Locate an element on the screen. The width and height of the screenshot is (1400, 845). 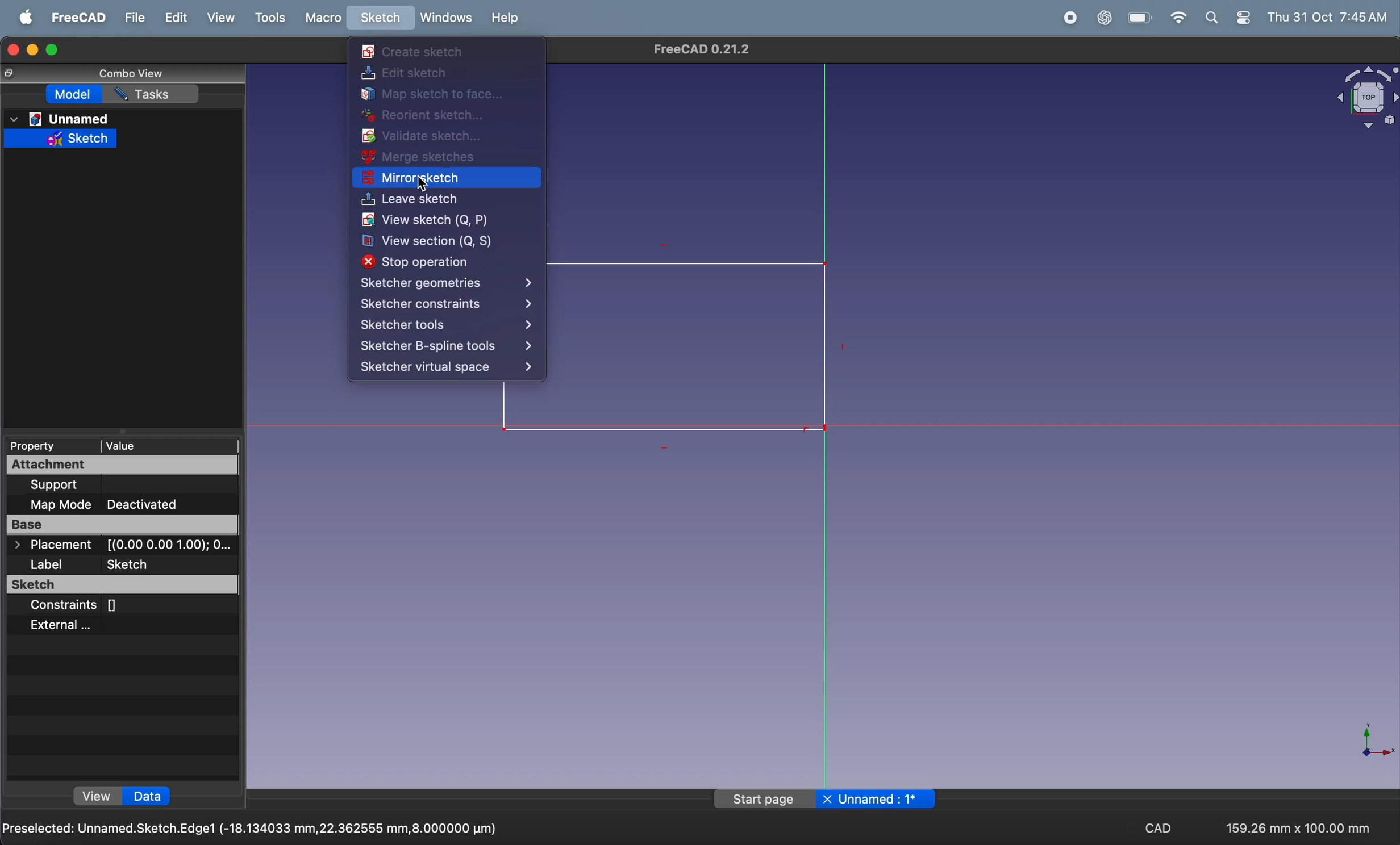
constraints is located at coordinates (119, 606).